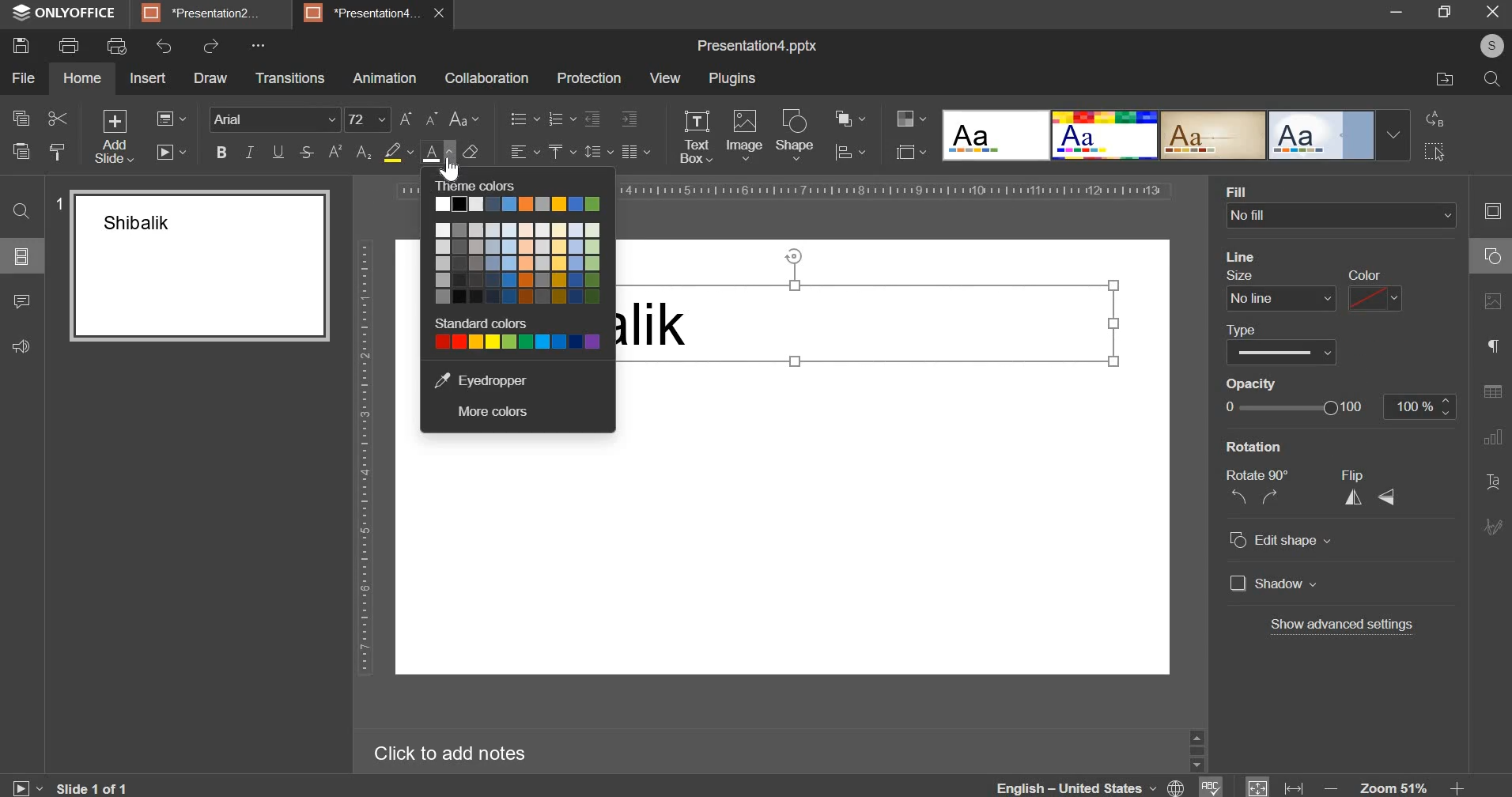 This screenshot has width=1512, height=797. I want to click on mouse pointer, so click(453, 171).